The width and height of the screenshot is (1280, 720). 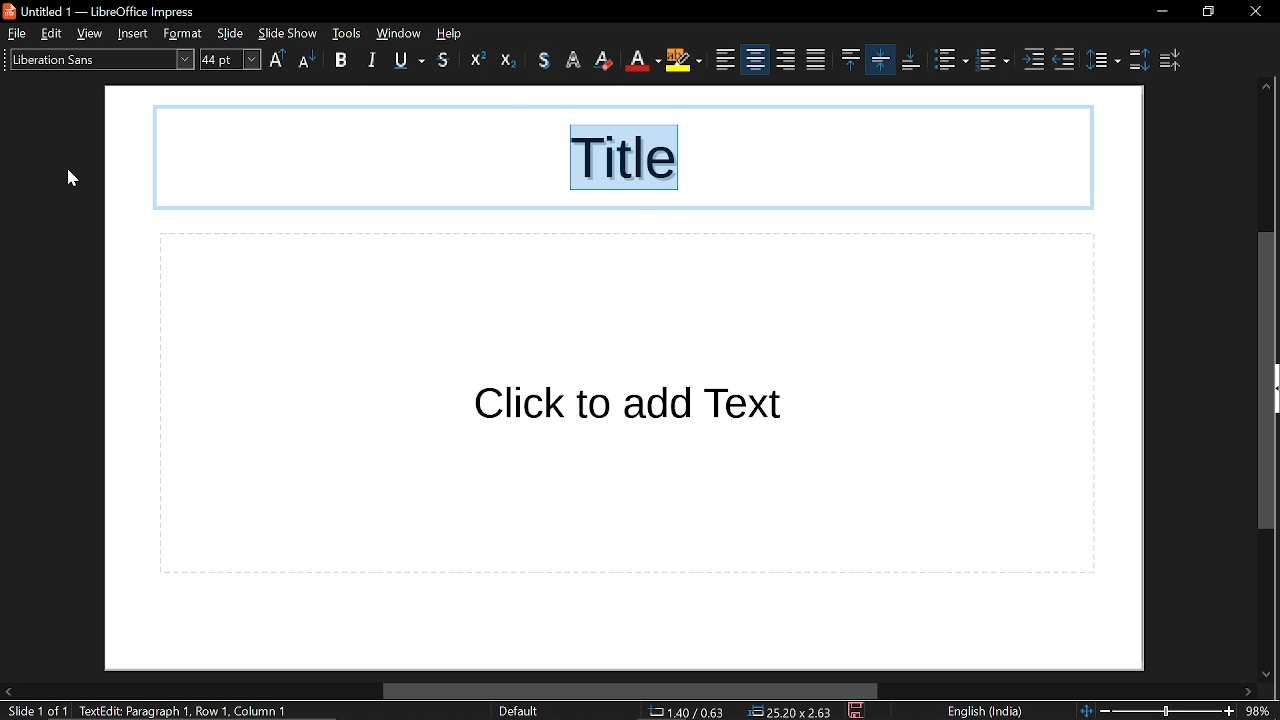 What do you see at coordinates (754, 59) in the screenshot?
I see `align right` at bounding box center [754, 59].